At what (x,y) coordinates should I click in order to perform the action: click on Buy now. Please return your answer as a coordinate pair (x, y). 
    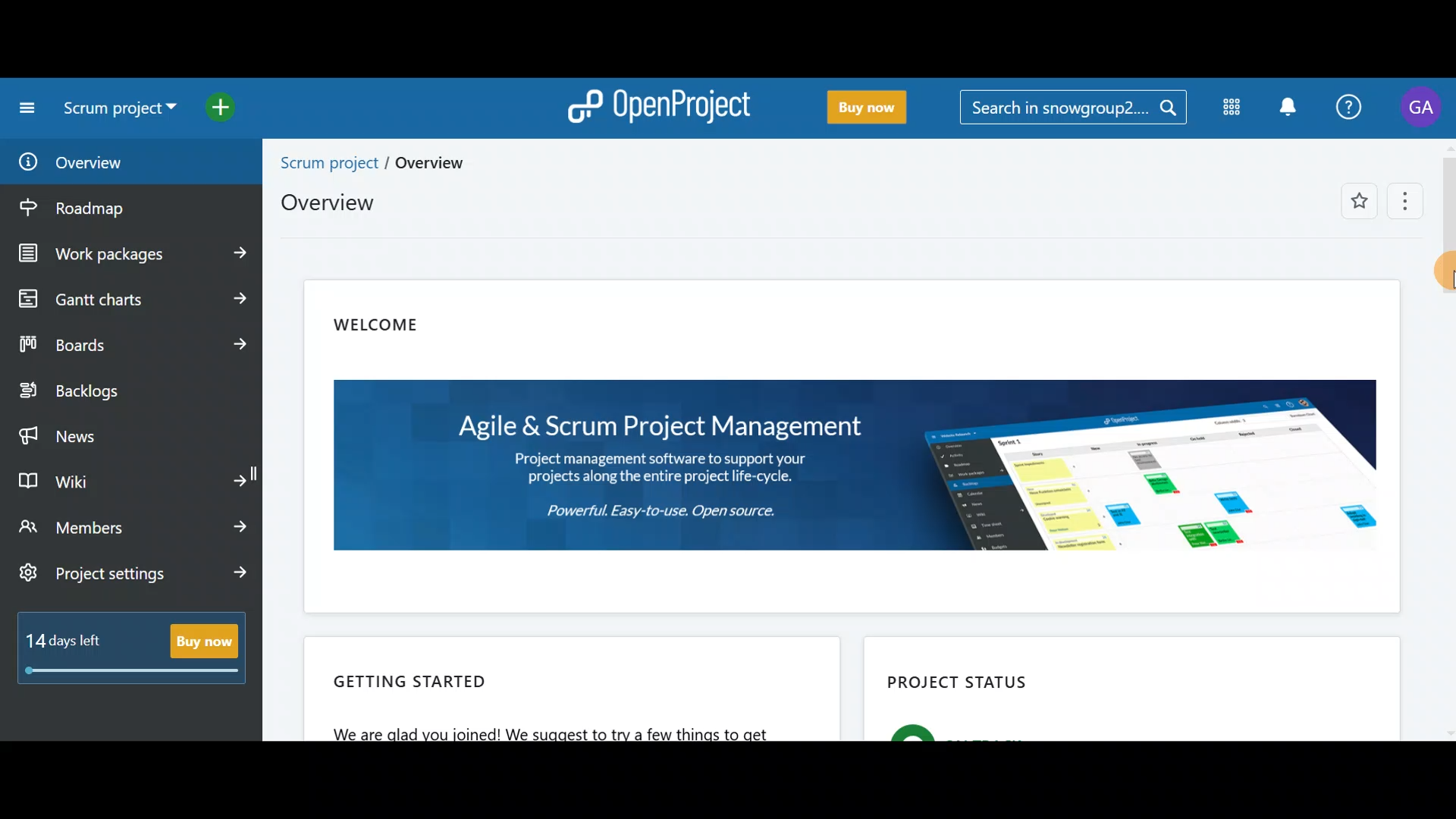
    Looking at the image, I should click on (138, 657).